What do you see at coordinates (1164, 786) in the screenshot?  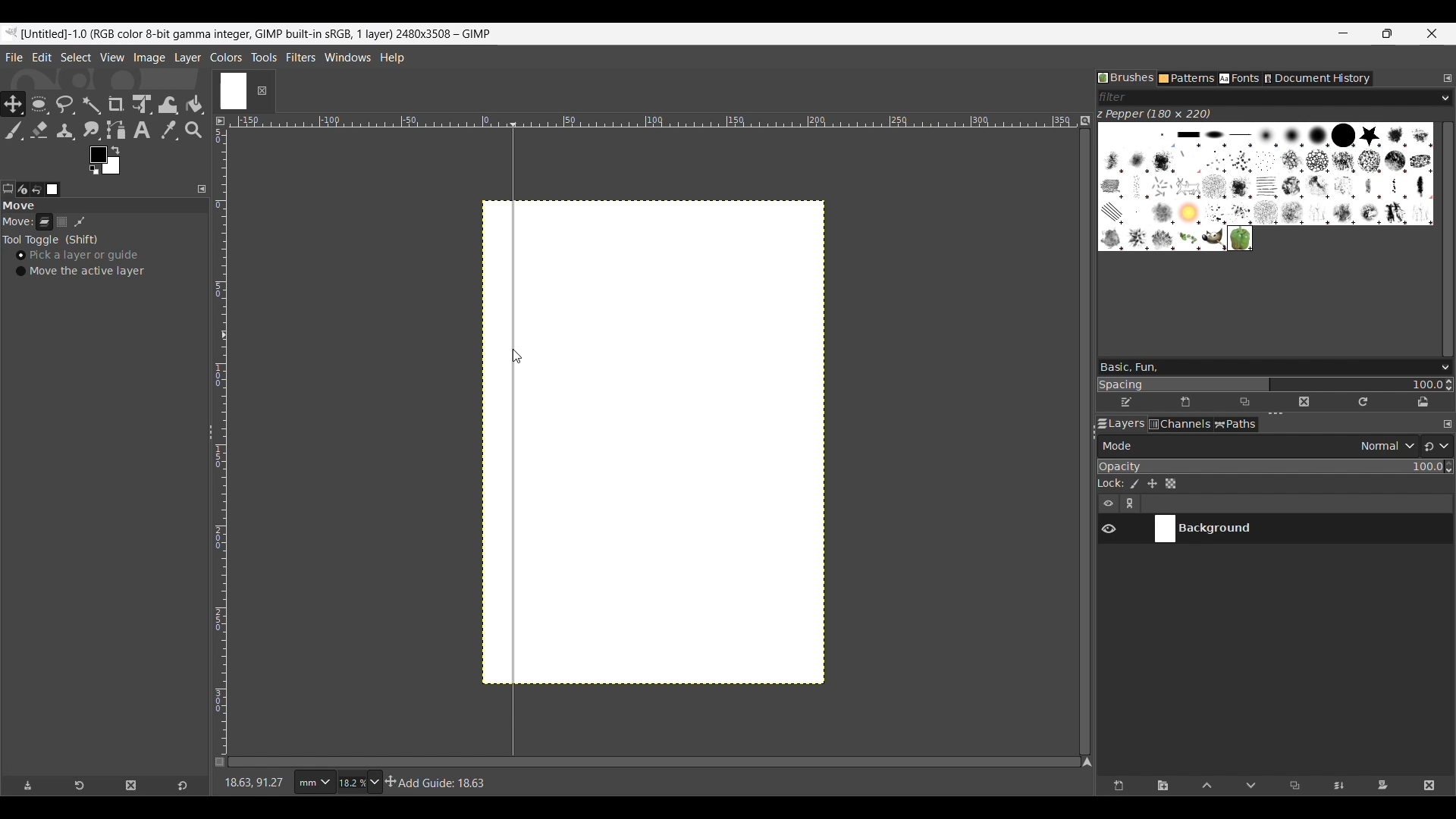 I see `Create a new layer group` at bounding box center [1164, 786].